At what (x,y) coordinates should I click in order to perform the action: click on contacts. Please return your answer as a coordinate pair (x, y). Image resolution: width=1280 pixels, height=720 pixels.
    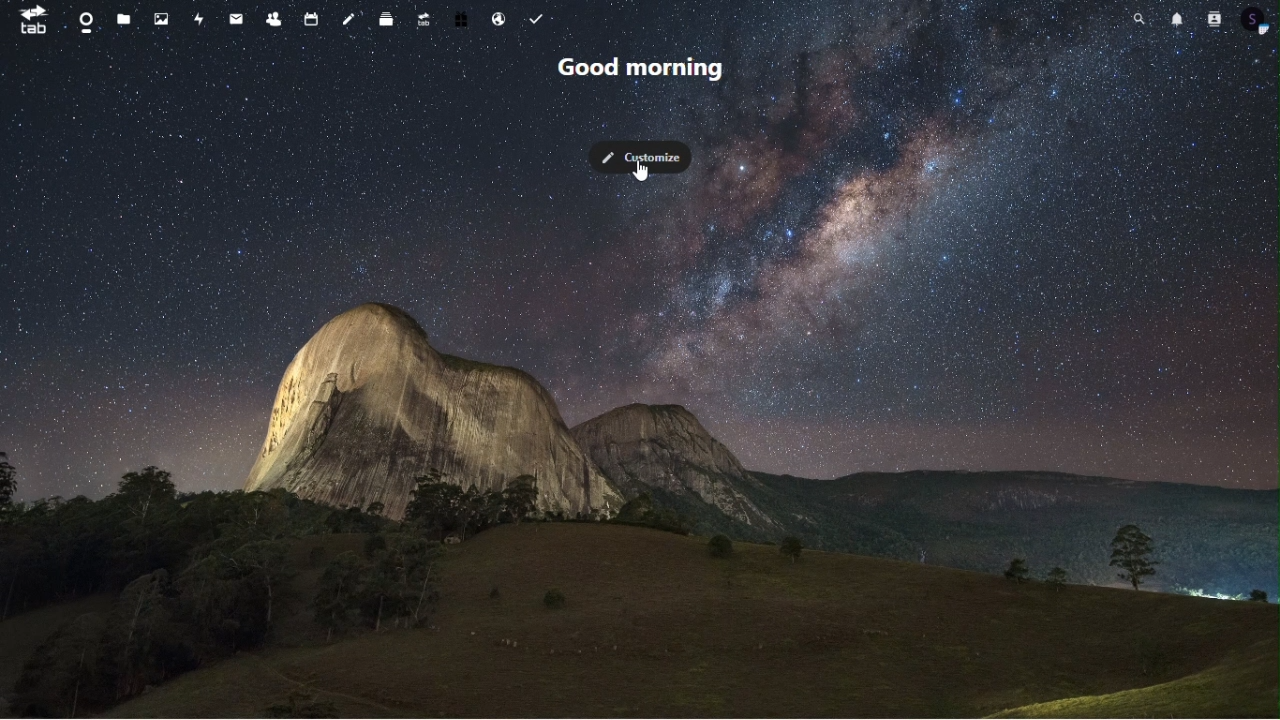
    Looking at the image, I should click on (1214, 19).